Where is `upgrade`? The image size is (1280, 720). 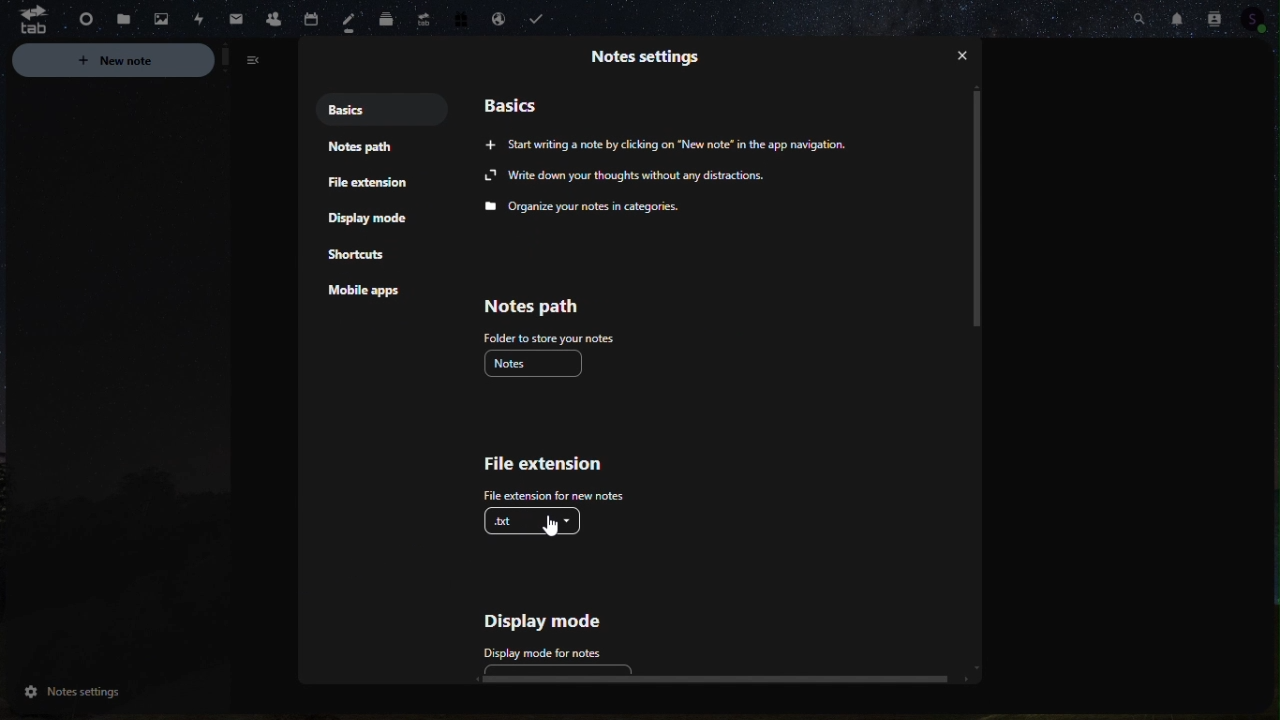
upgrade is located at coordinates (420, 16).